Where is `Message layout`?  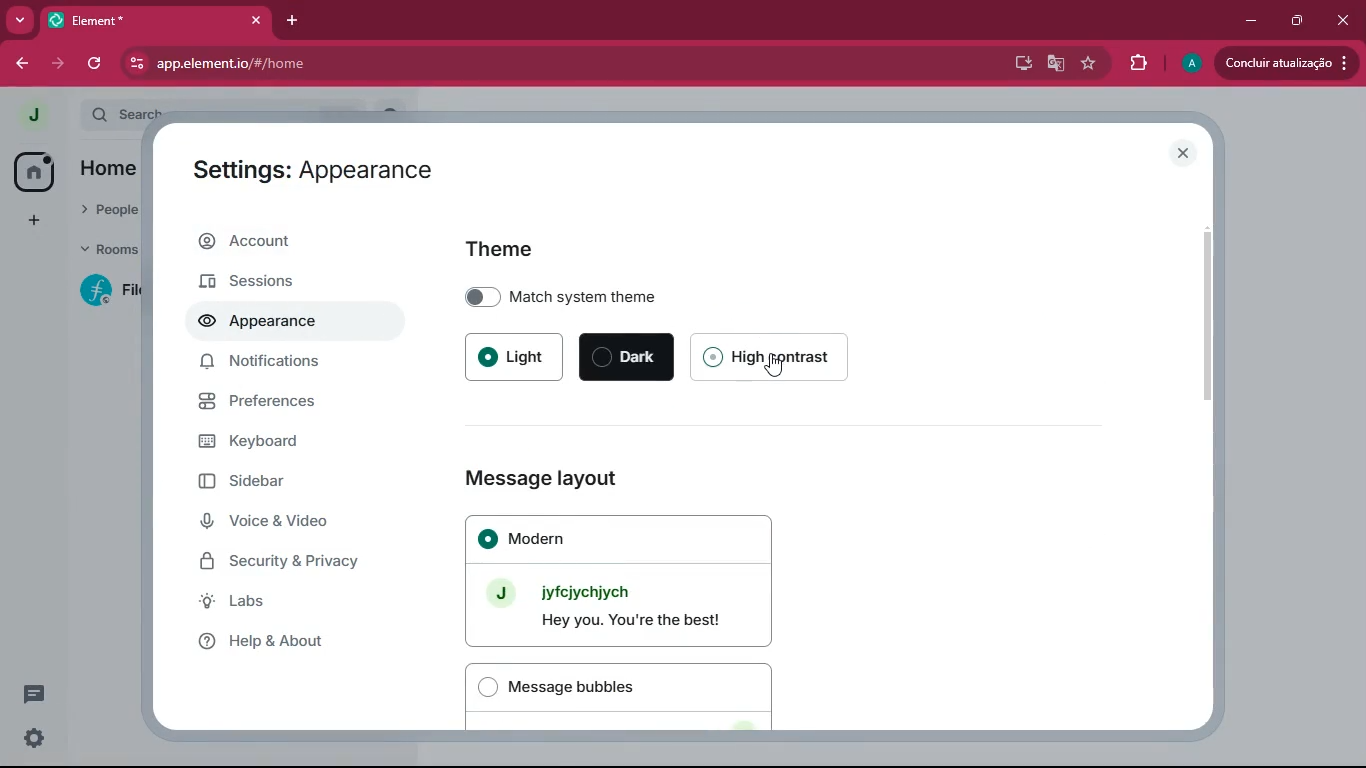
Message layout is located at coordinates (539, 479).